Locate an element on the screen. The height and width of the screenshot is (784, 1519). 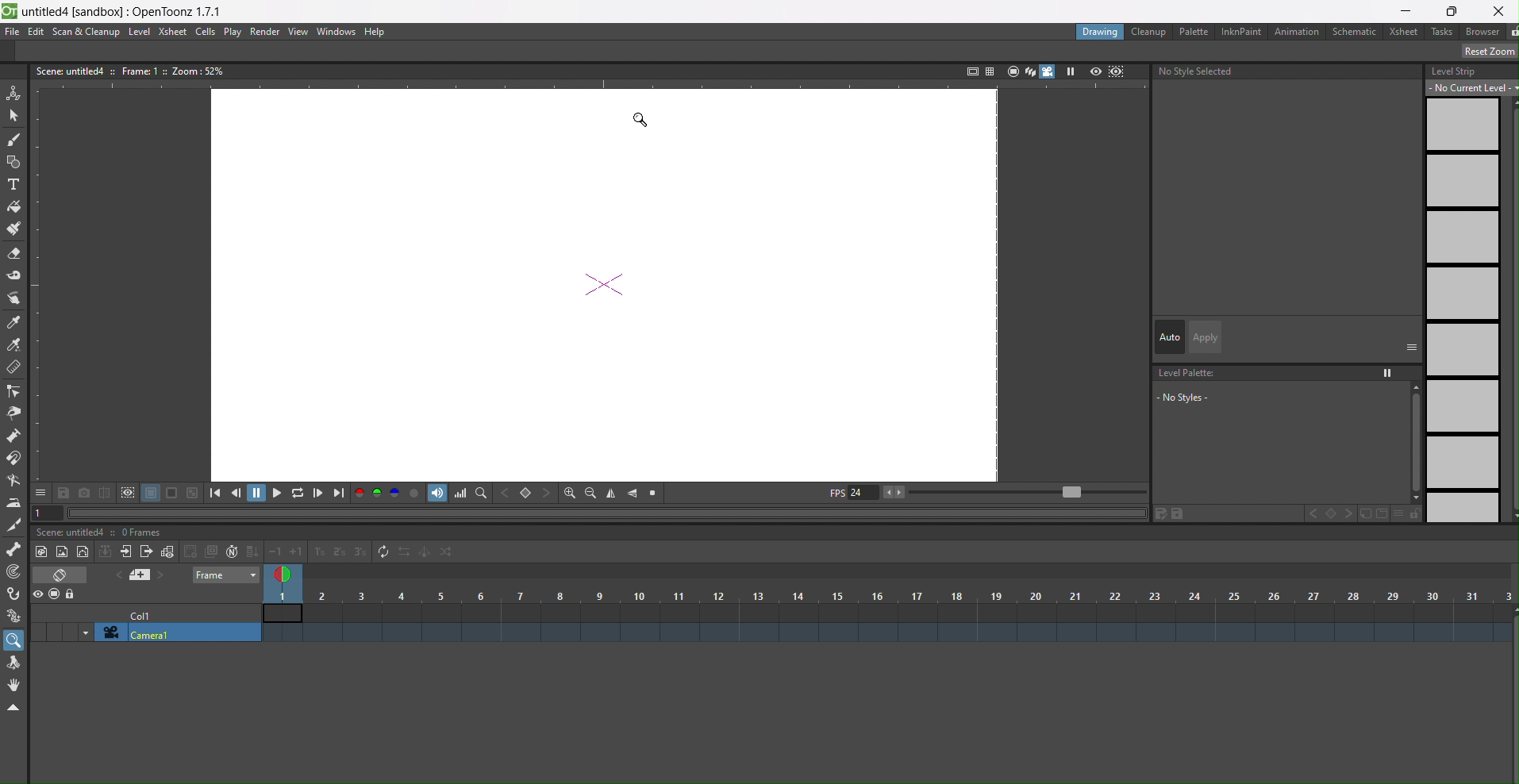
fill tool is located at coordinates (16, 204).